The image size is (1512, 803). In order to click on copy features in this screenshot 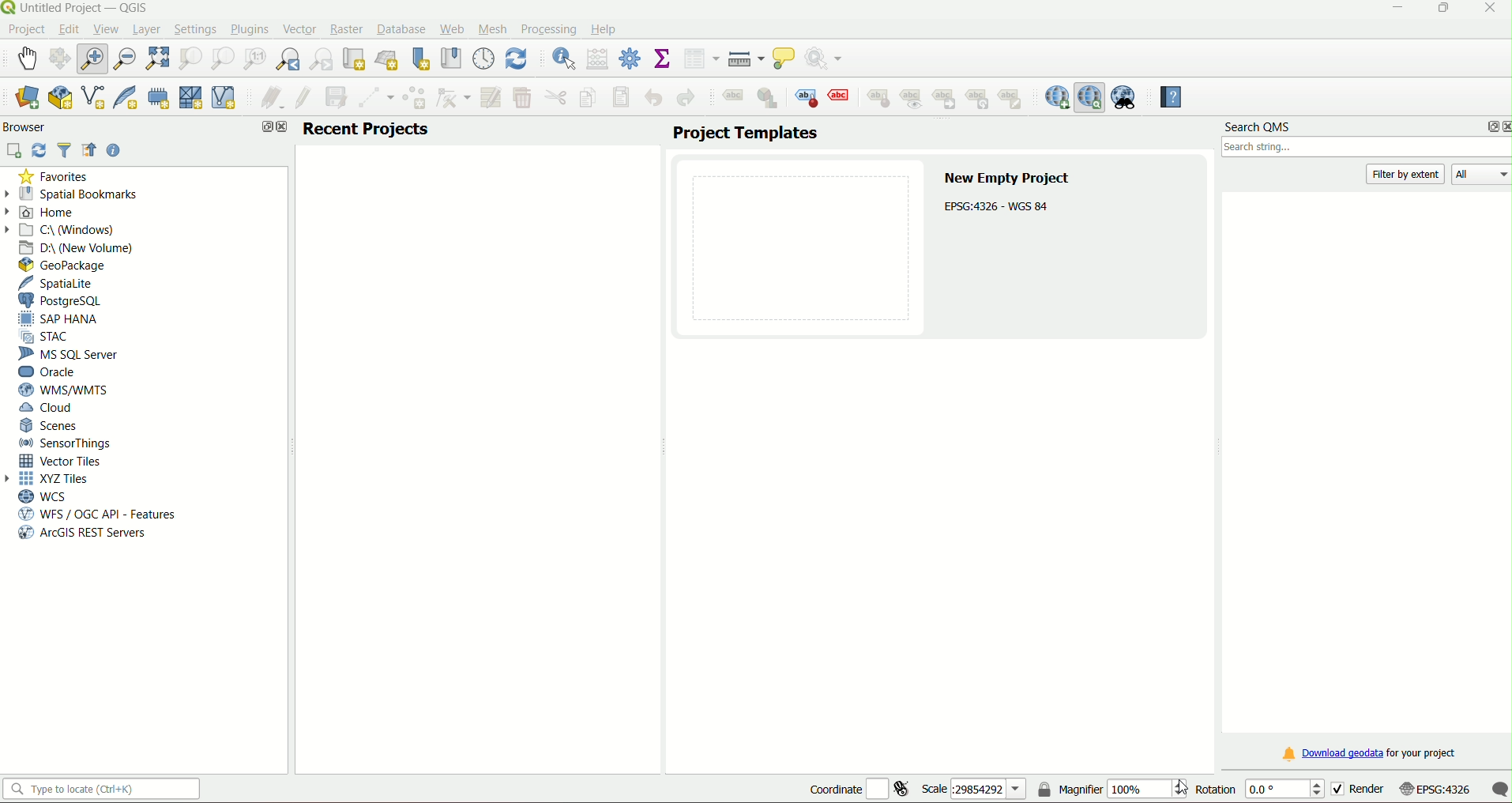, I will do `click(587, 98)`.